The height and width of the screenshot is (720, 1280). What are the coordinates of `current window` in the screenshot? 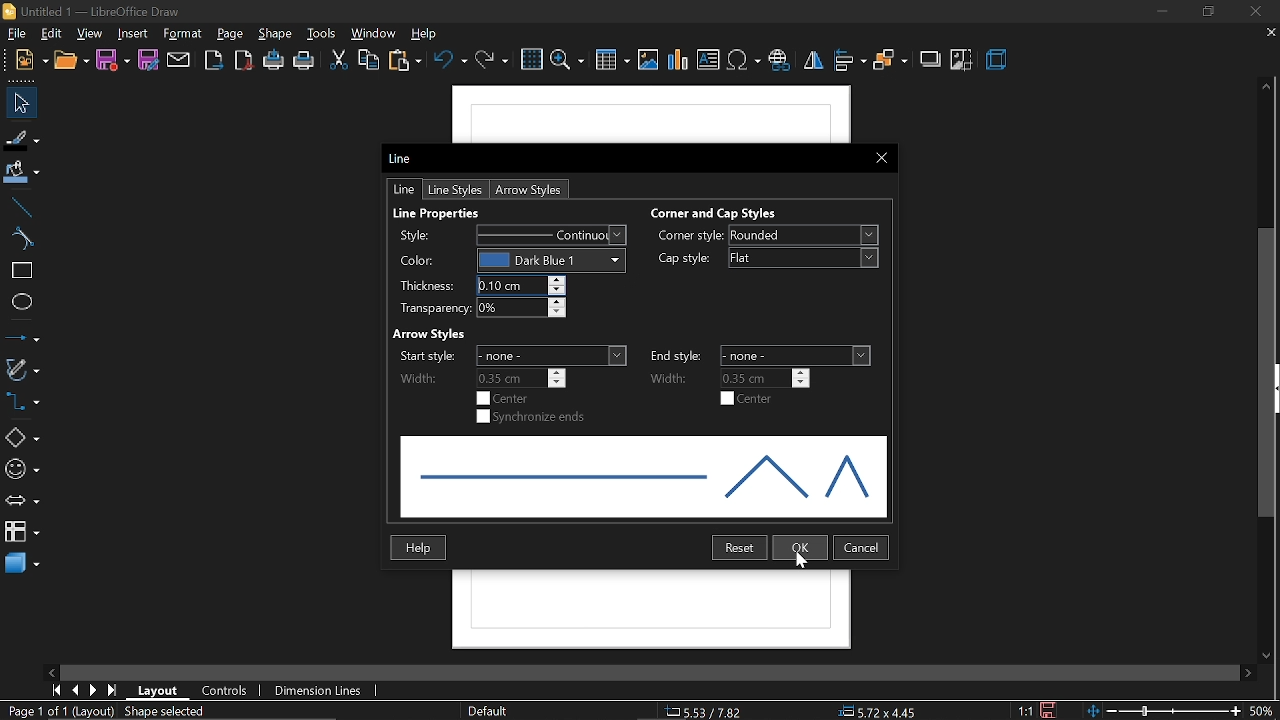 It's located at (90, 10).